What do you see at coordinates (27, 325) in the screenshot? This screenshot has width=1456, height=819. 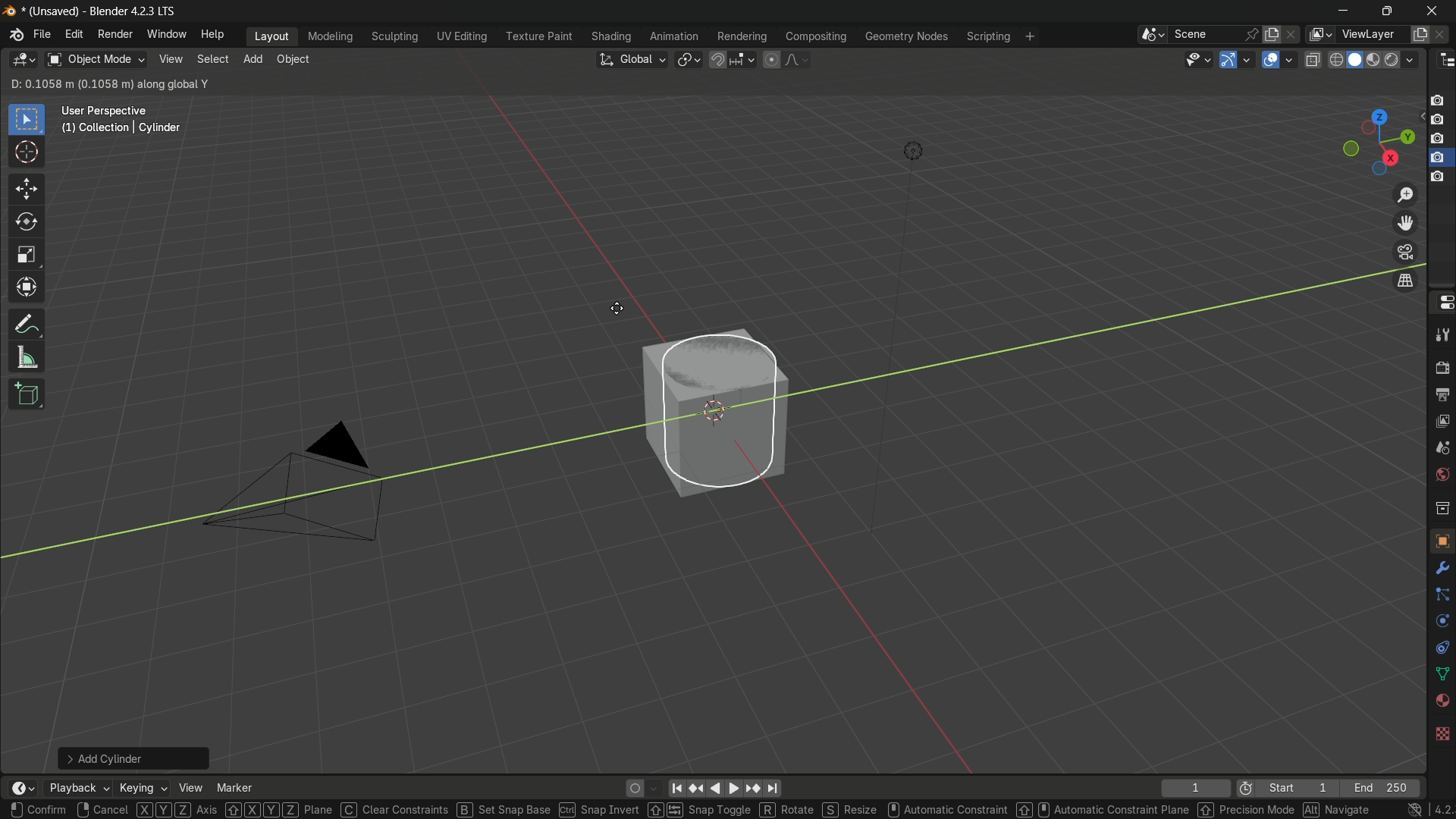 I see `annotate` at bounding box center [27, 325].